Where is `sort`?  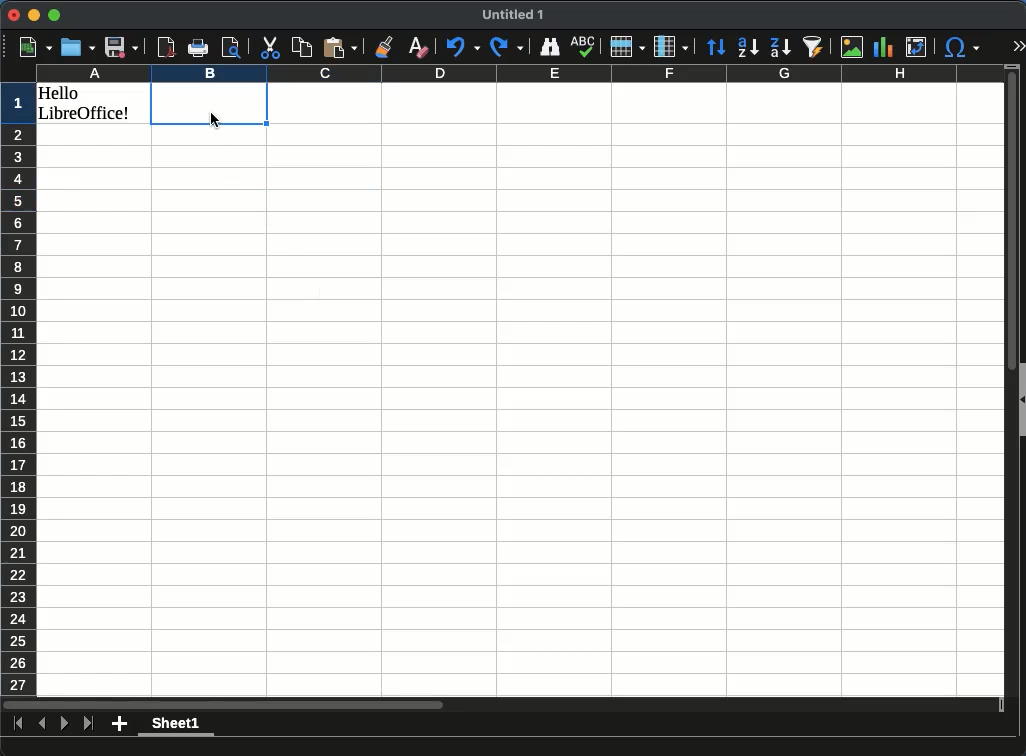
sort is located at coordinates (715, 45).